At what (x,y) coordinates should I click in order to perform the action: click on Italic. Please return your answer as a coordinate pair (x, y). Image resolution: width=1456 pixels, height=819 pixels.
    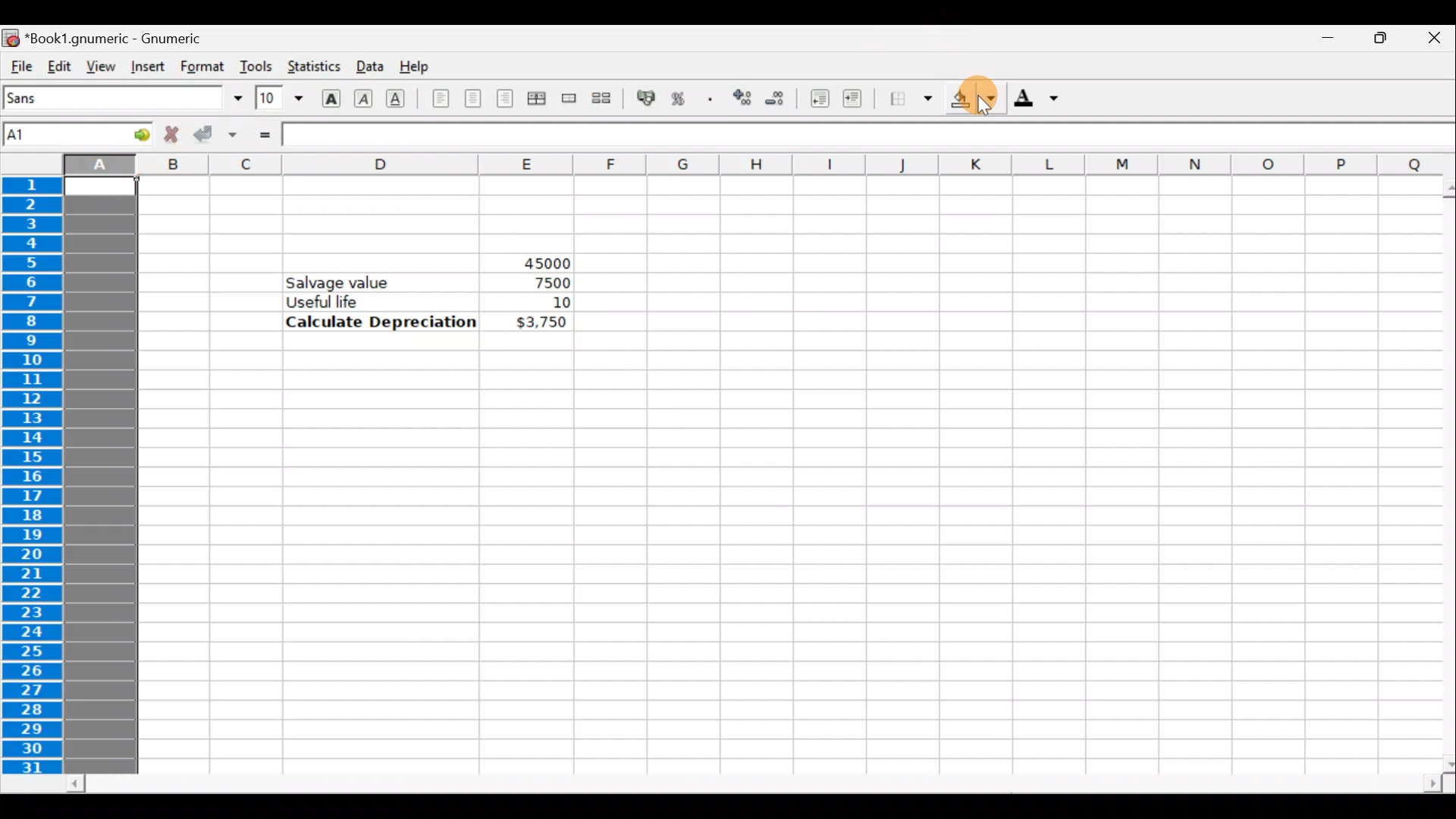
    Looking at the image, I should click on (366, 96).